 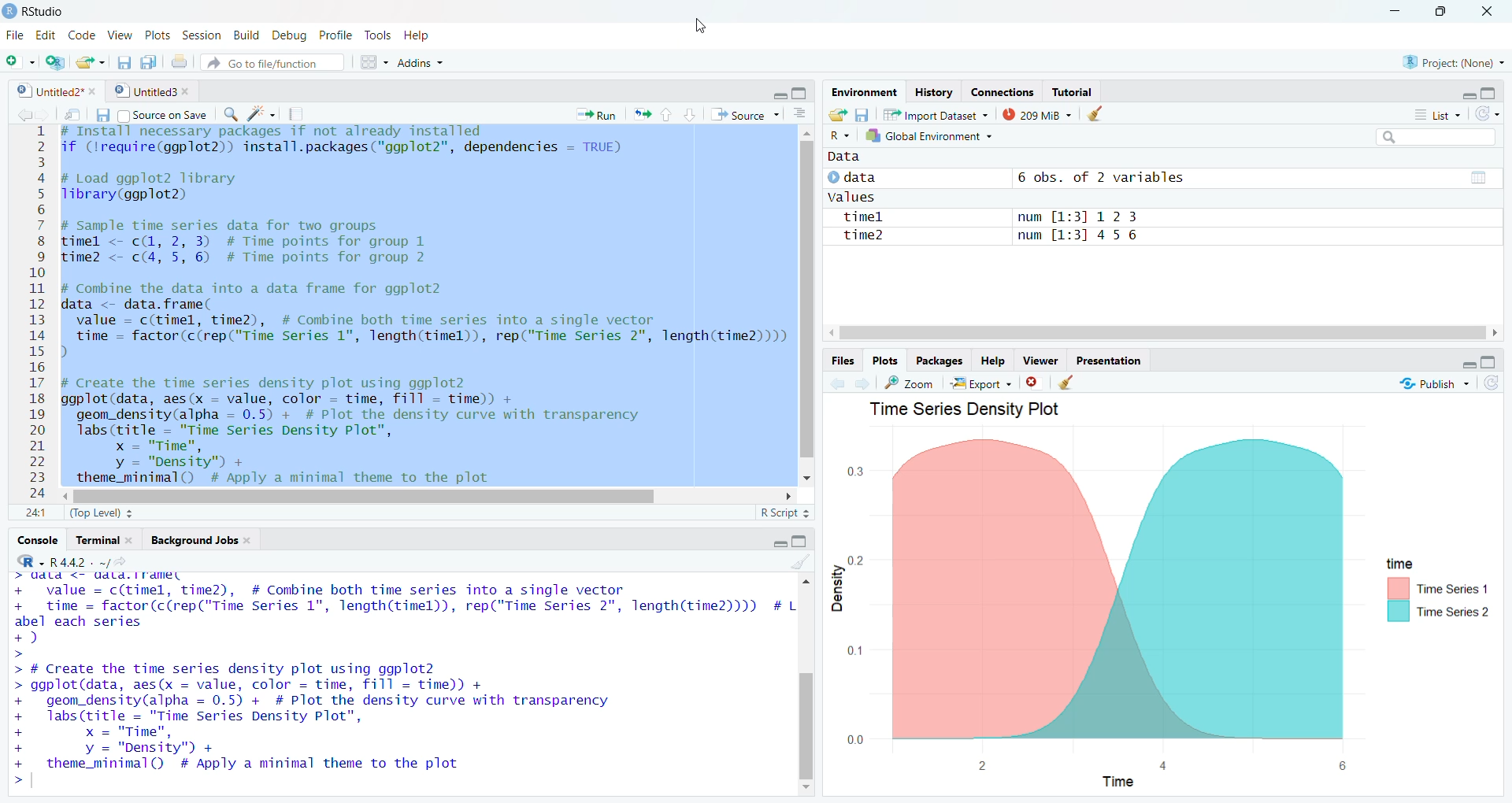 What do you see at coordinates (326, 726) in the screenshot?
I see `> # Create the time series density plot using ggplot2

> ggplot(data, aes(x = value, color = time, fill = time)) +

+ geom_density(alpha = 0.5) + # Plot the density curve with transparency
+ labs(title = "Time Series Density Plot",

+ x = "Time",

+ y = "Density") +

+  theme_minimal() # Apply a minimal theme to the plot

>|` at bounding box center [326, 726].